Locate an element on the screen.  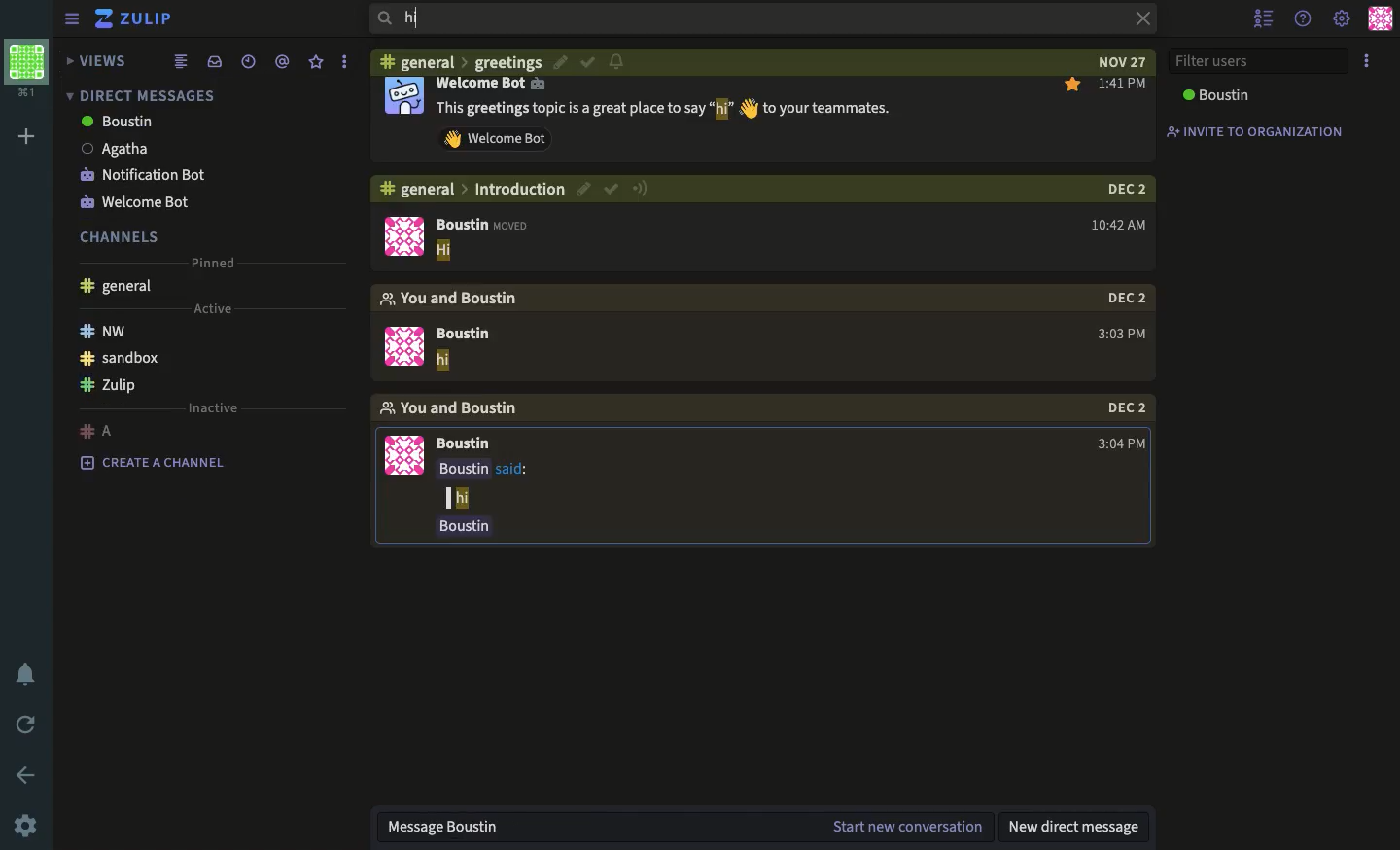
filter users  is located at coordinates (1261, 59).